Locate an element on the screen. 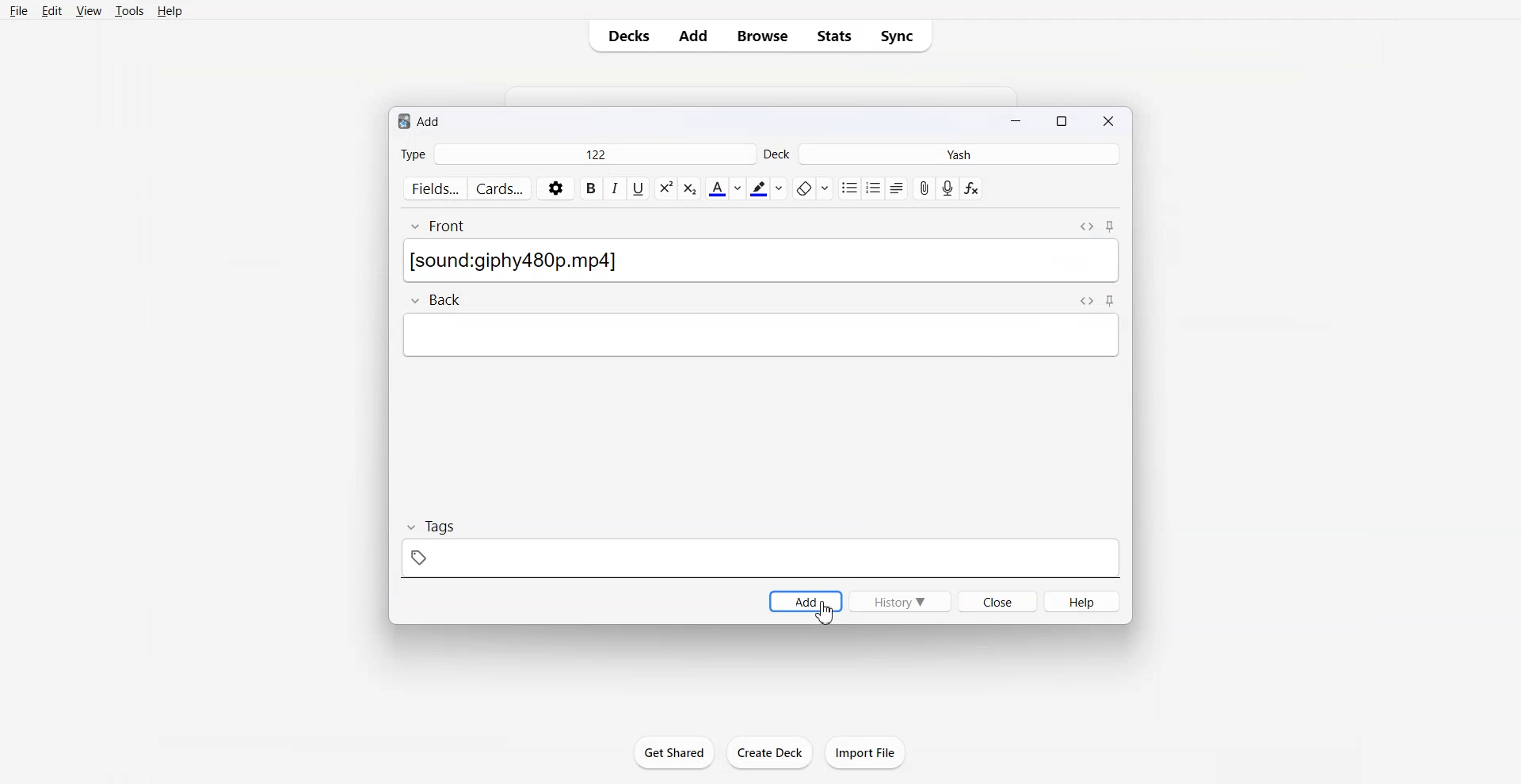 This screenshot has height=784, width=1521. Toggle HTML Editor is located at coordinates (1087, 302).